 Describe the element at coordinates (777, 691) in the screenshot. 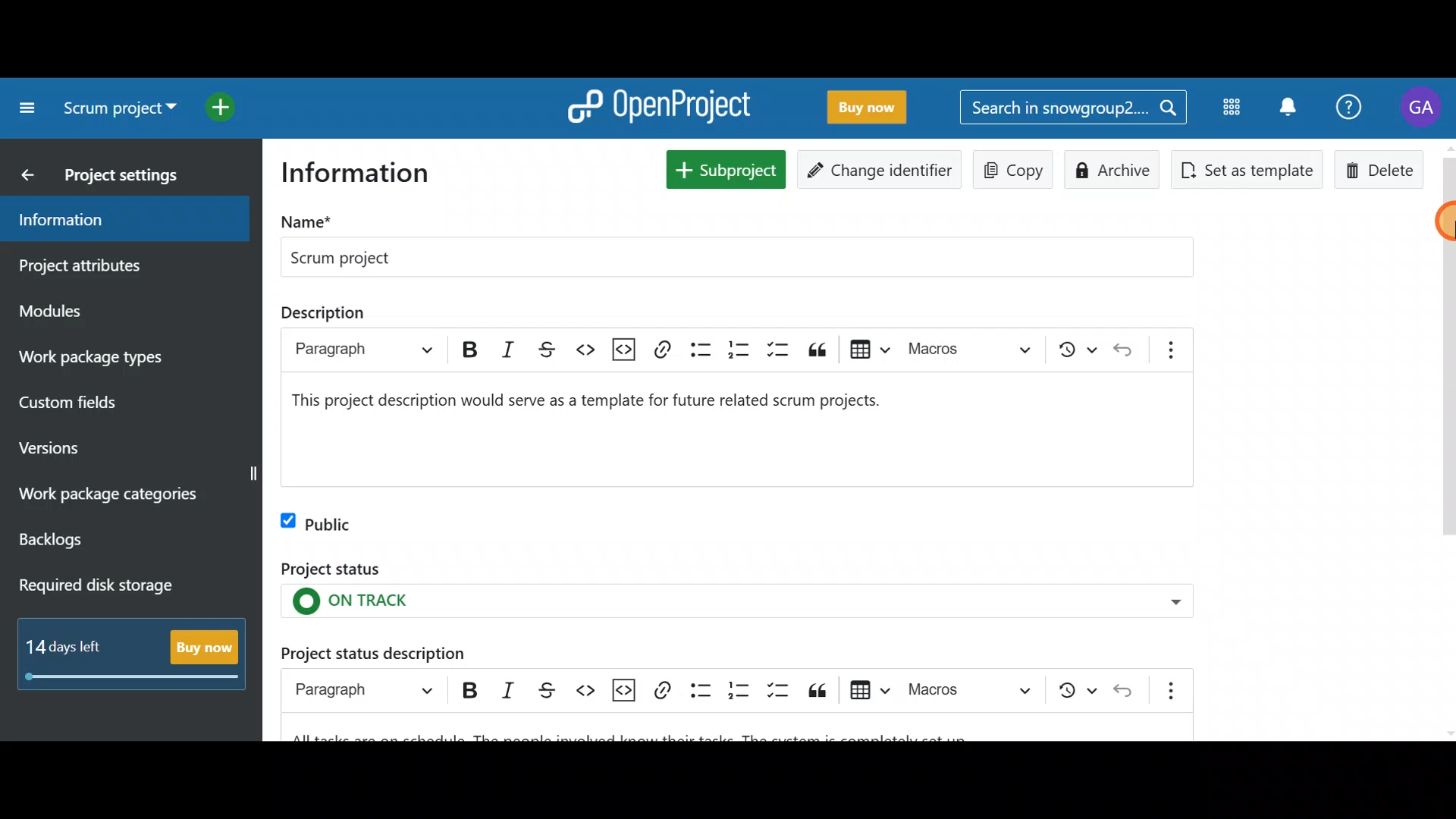

I see `To-do list` at that location.